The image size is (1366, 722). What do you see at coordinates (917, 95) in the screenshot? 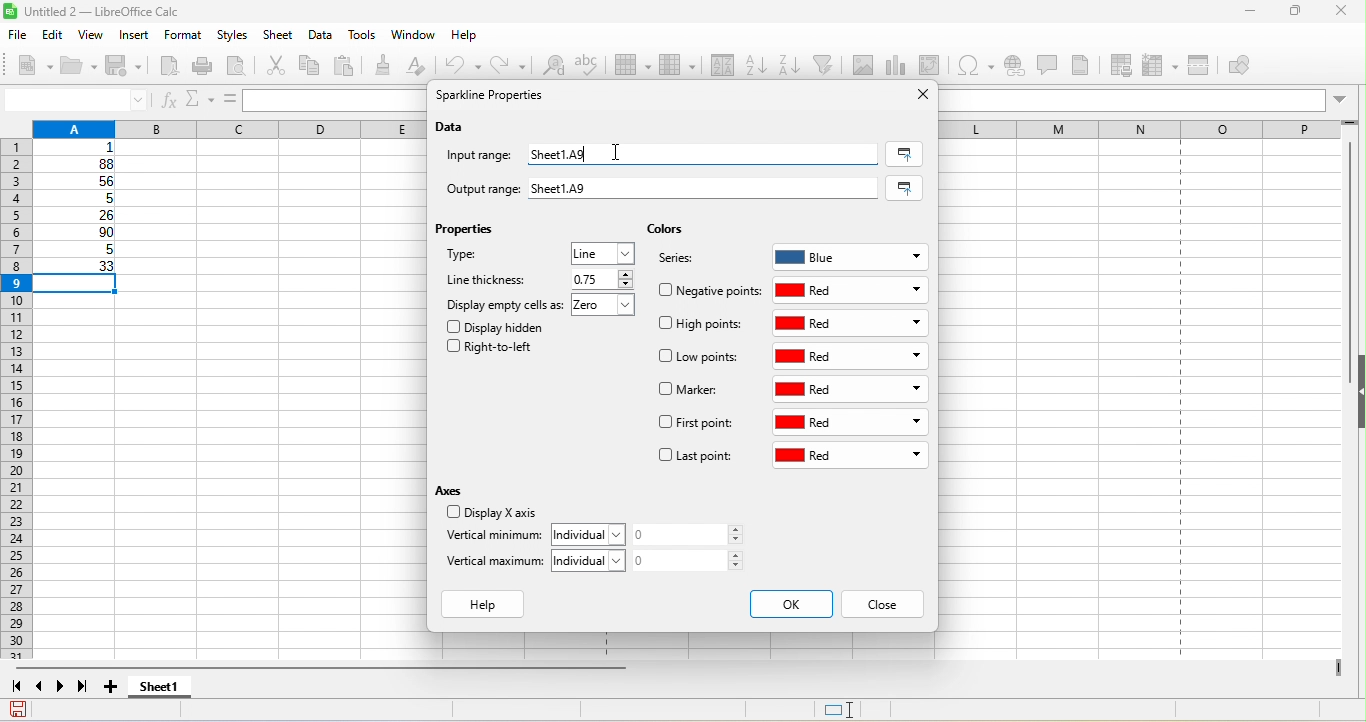
I see `close` at bounding box center [917, 95].